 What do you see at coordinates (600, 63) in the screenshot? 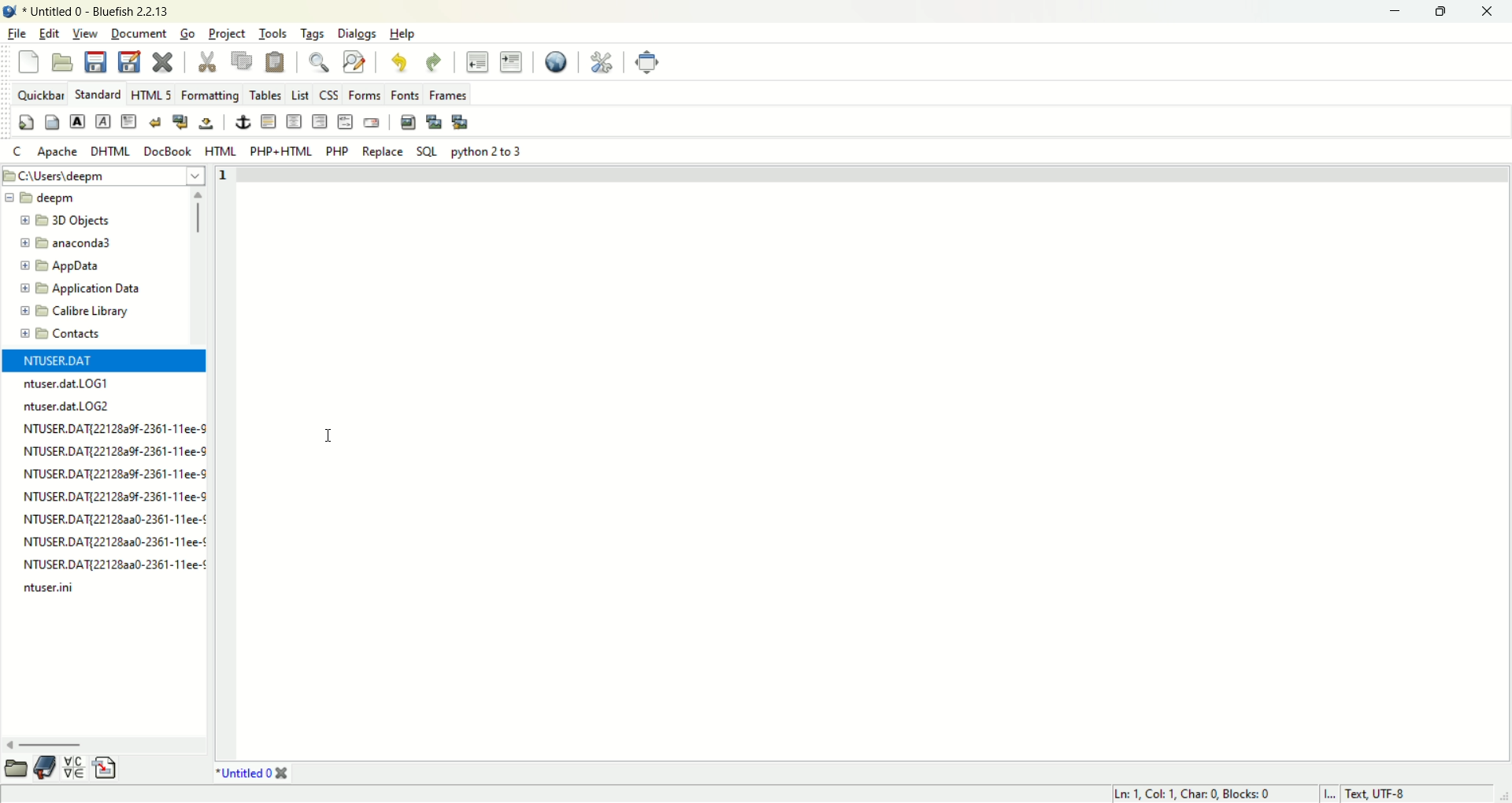
I see `preferences` at bounding box center [600, 63].